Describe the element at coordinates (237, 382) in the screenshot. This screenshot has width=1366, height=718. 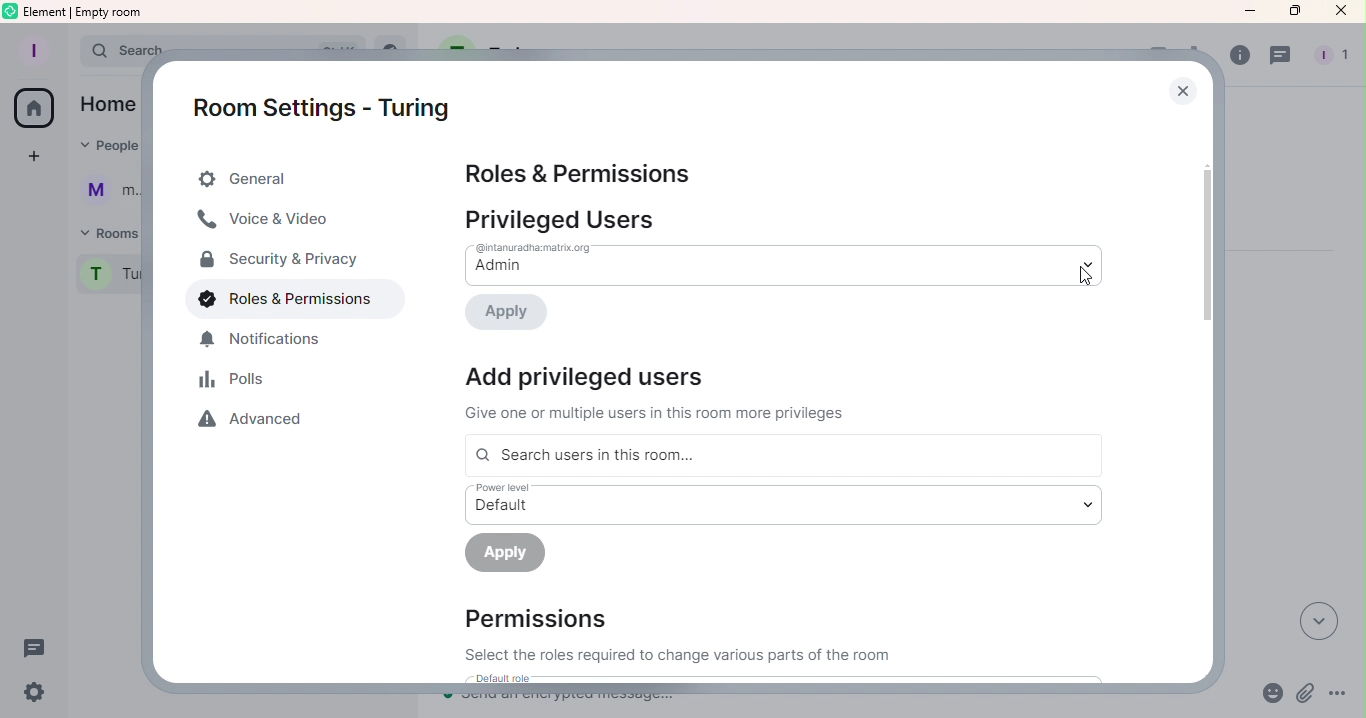
I see `Polls` at that location.